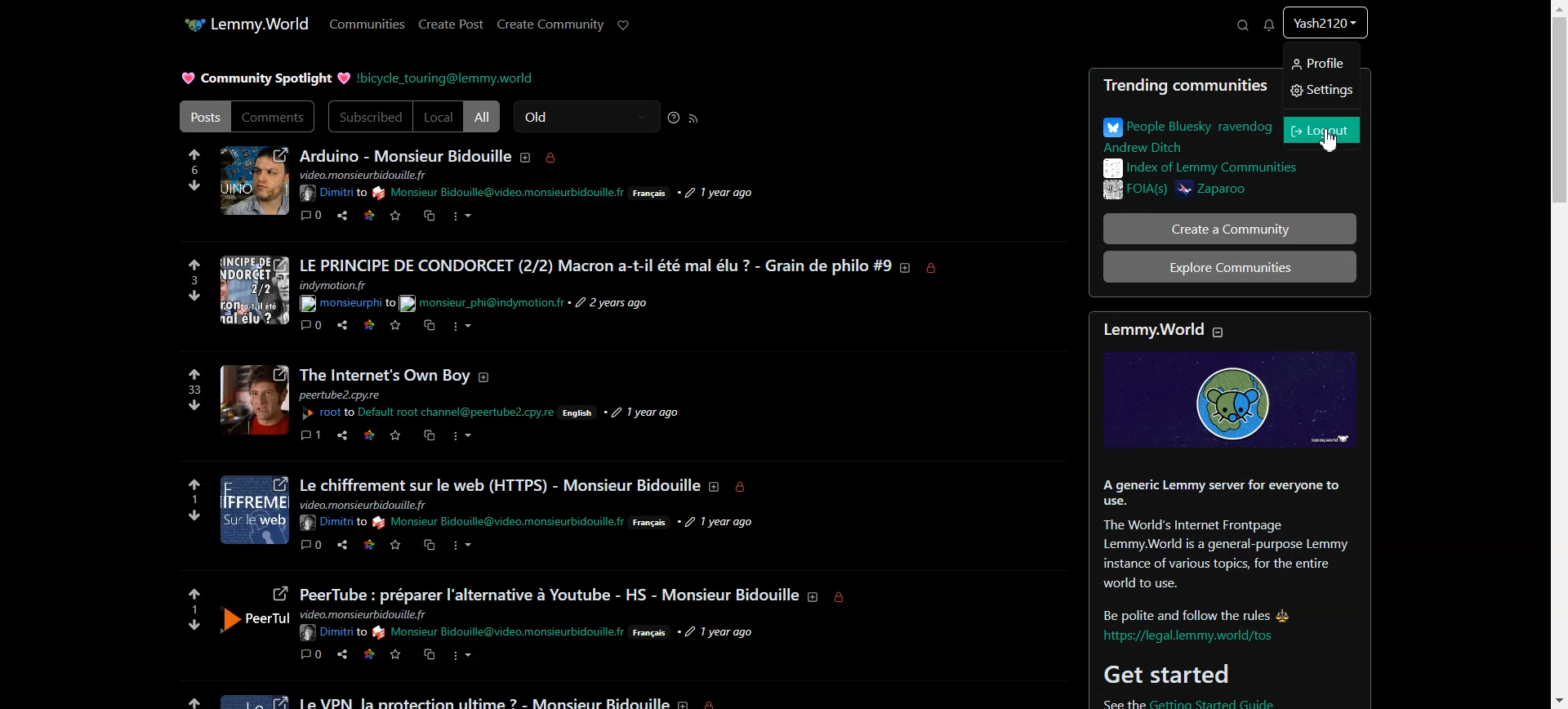  Describe the element at coordinates (253, 512) in the screenshot. I see `profile picture` at that location.